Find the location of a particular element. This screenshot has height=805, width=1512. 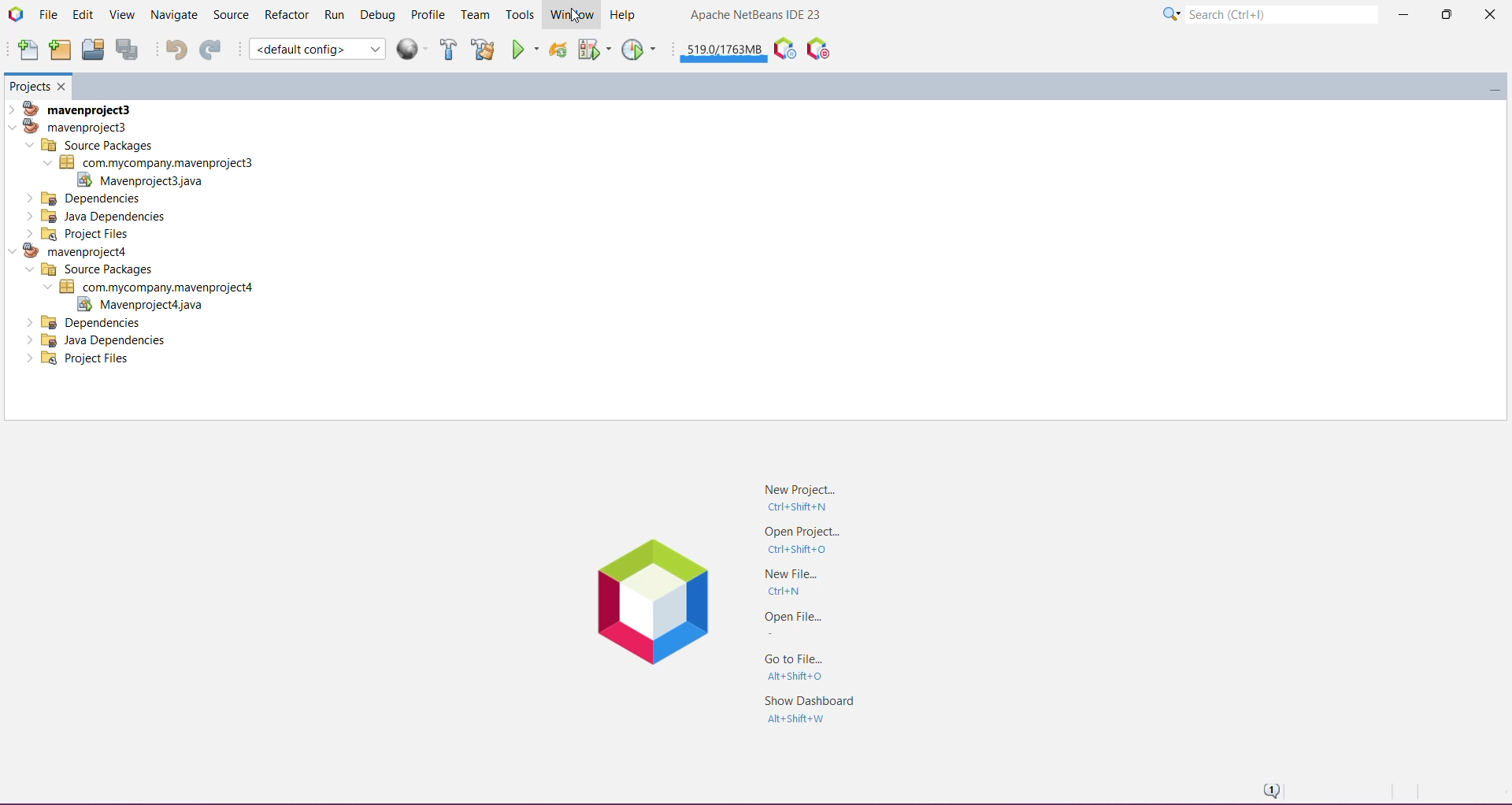

Tools is located at coordinates (519, 16).